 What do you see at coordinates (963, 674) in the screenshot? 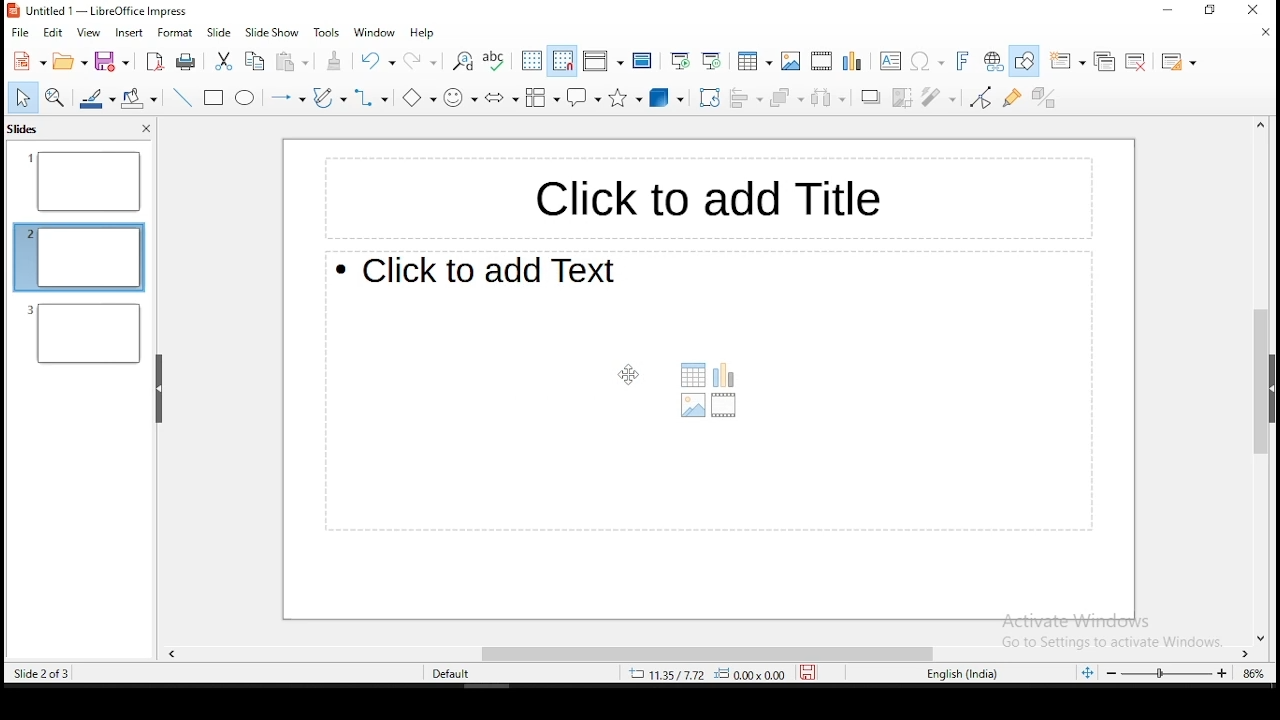
I see `english (india)` at bounding box center [963, 674].